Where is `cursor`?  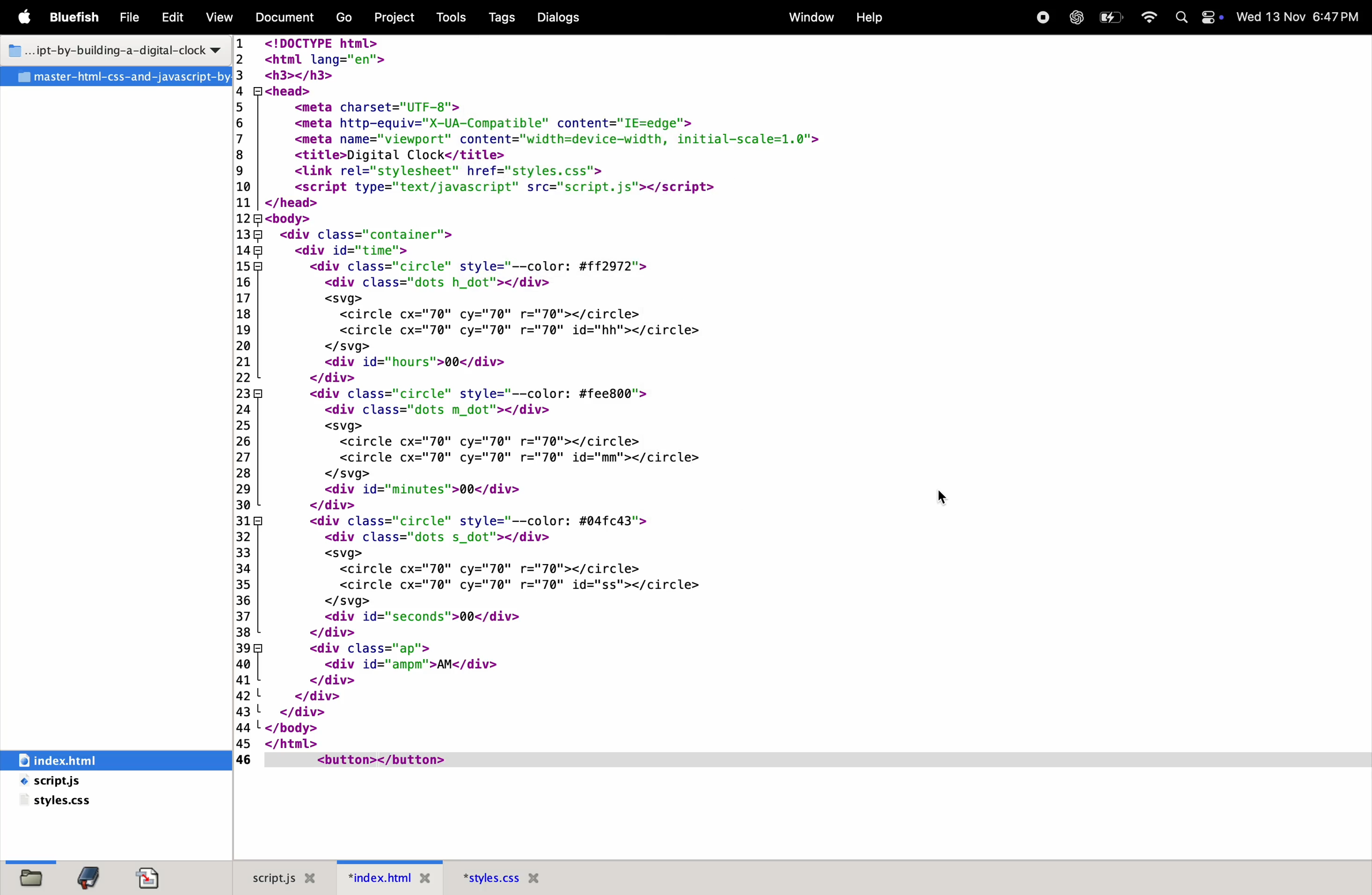 cursor is located at coordinates (948, 499).